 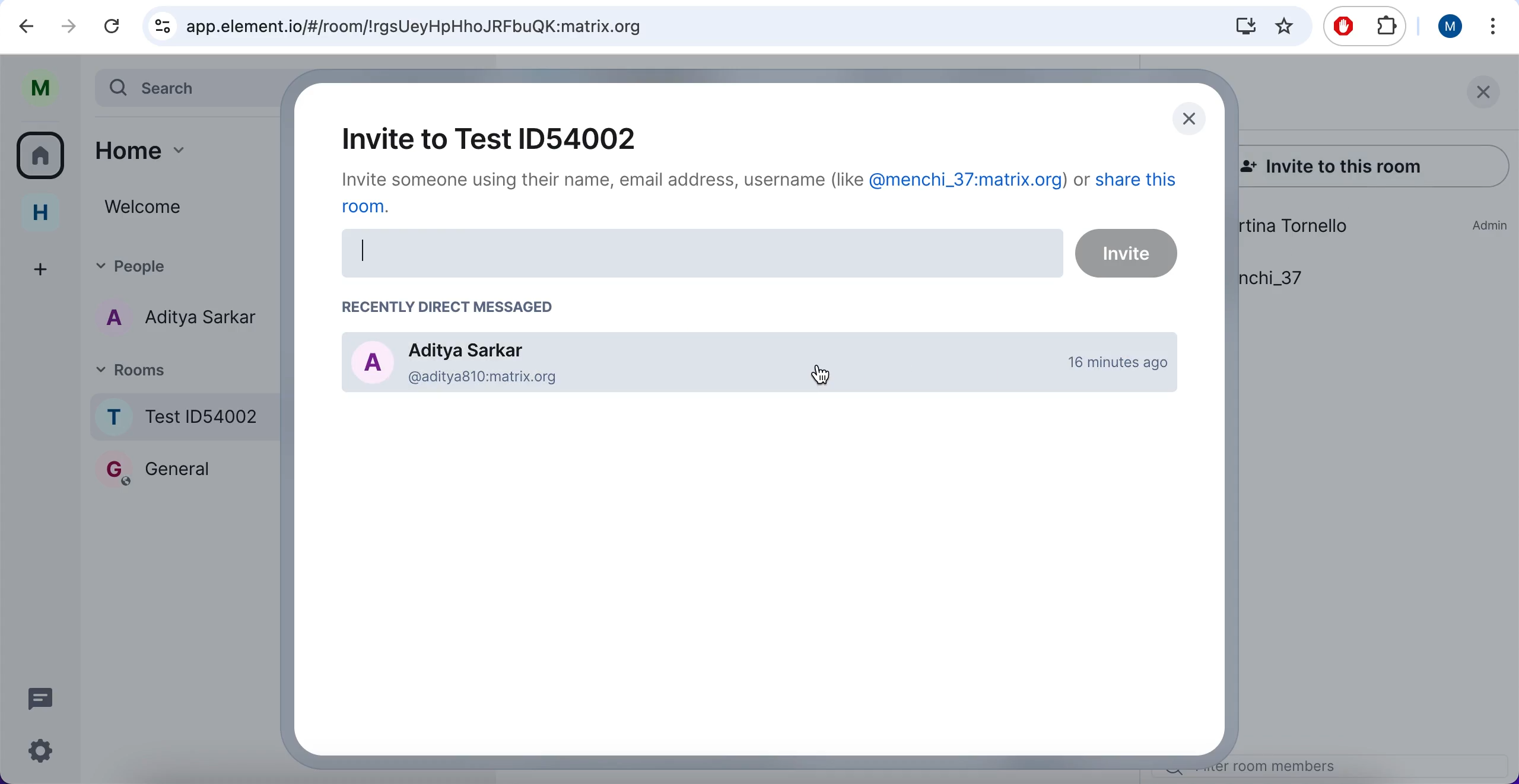 I want to click on add, so click(x=38, y=267).